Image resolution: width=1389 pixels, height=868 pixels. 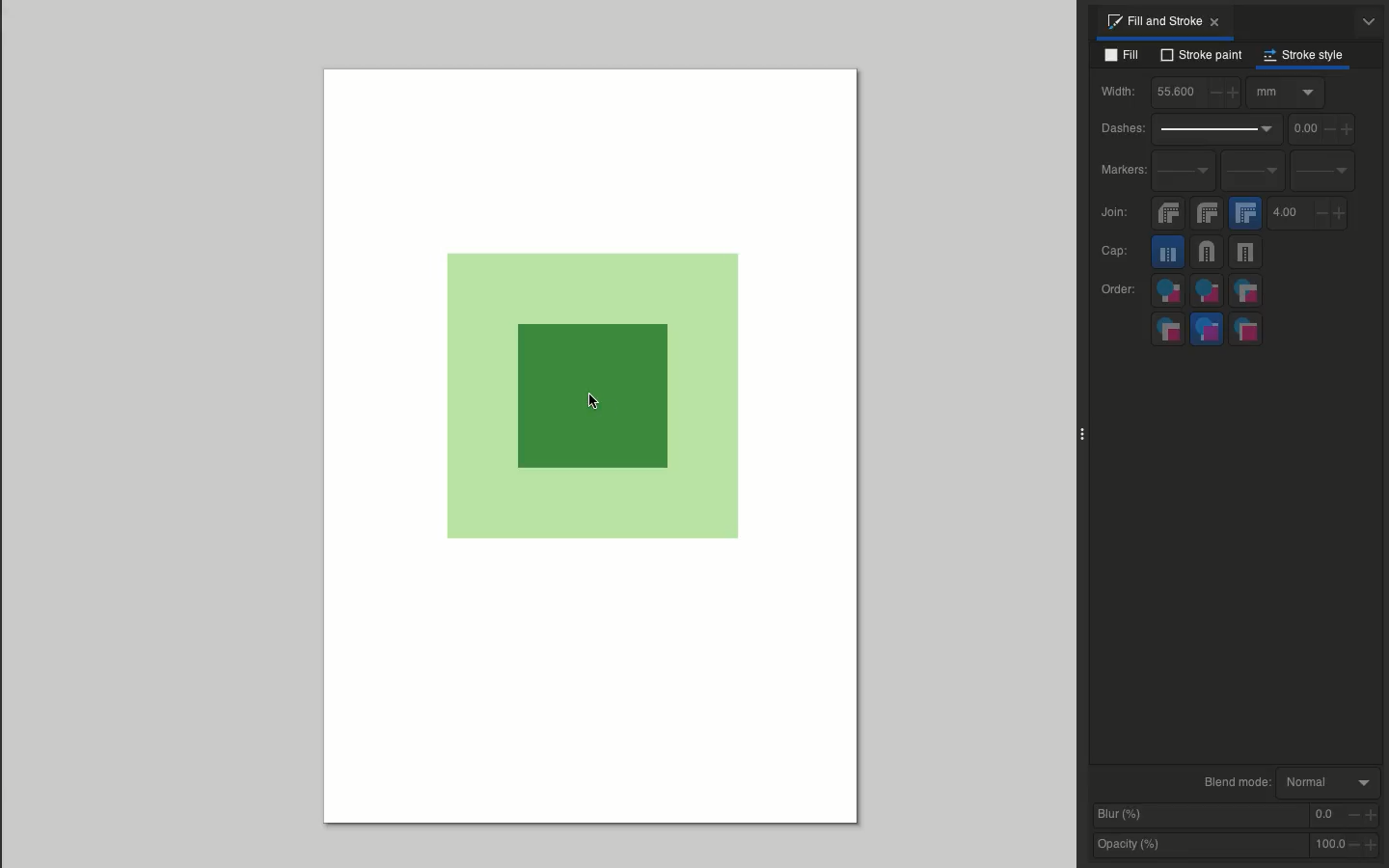 What do you see at coordinates (1077, 434) in the screenshot?
I see `Collapse` at bounding box center [1077, 434].